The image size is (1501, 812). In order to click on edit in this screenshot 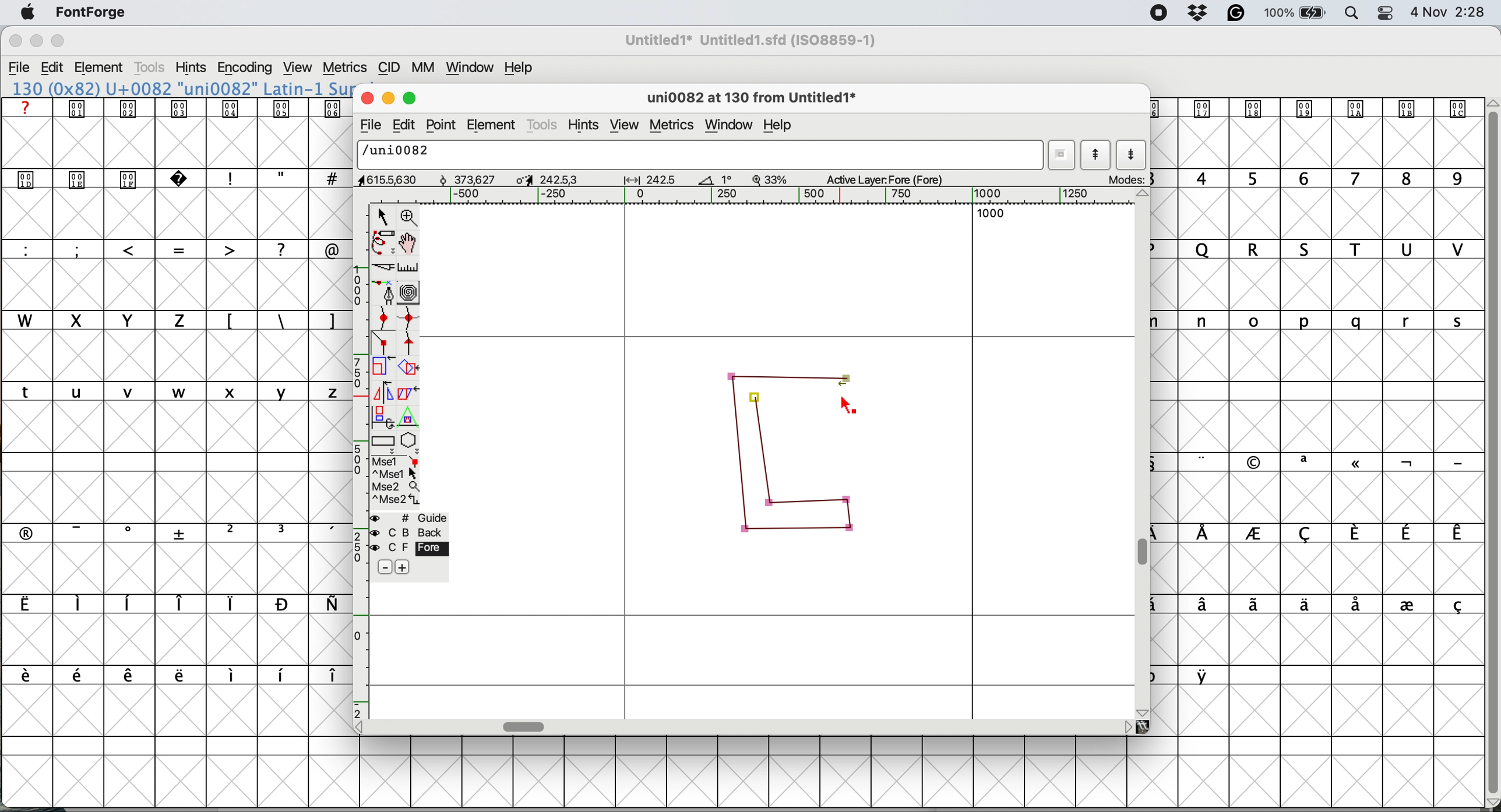, I will do `click(401, 126)`.